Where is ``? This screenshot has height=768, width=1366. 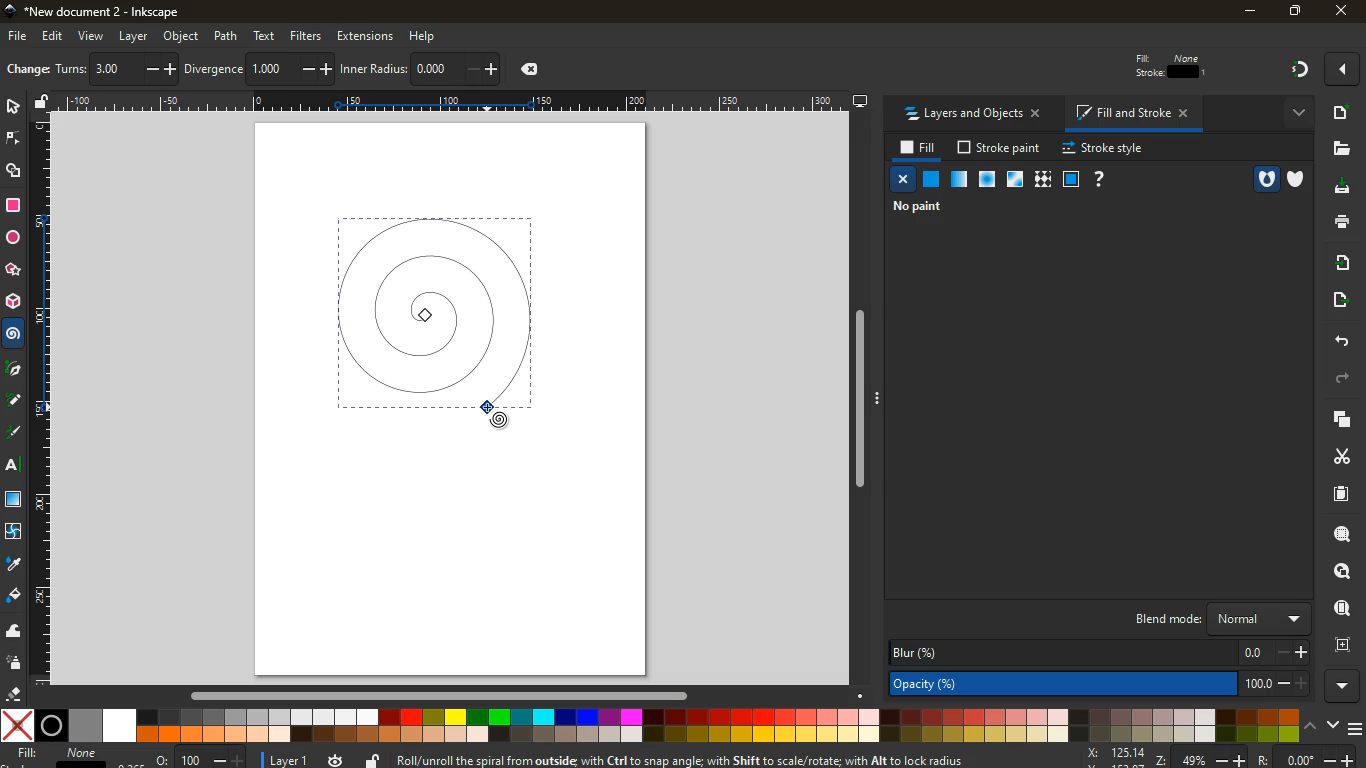
 is located at coordinates (53, 35).